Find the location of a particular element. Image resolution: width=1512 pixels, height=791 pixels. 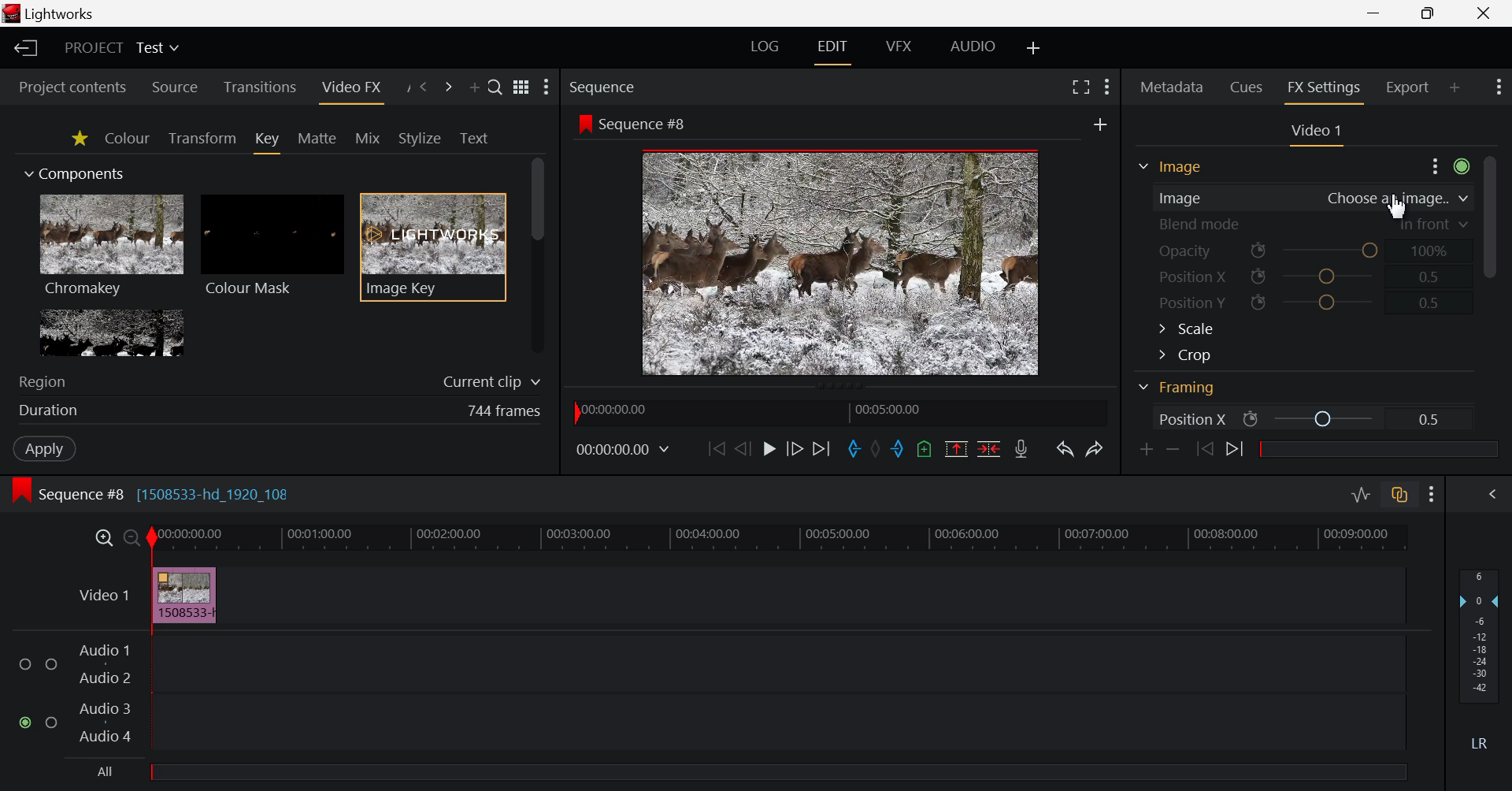

Next Panel is located at coordinates (448, 87).